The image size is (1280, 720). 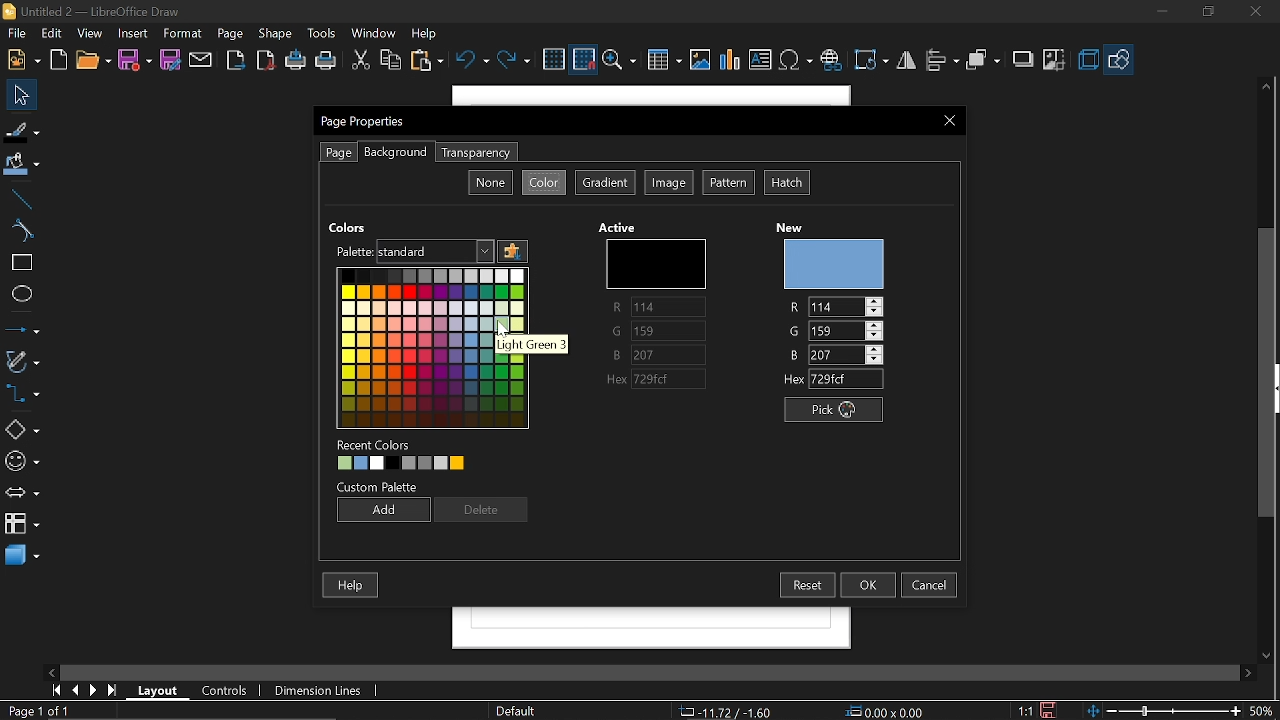 I want to click on Current zoom, so click(x=1263, y=710).